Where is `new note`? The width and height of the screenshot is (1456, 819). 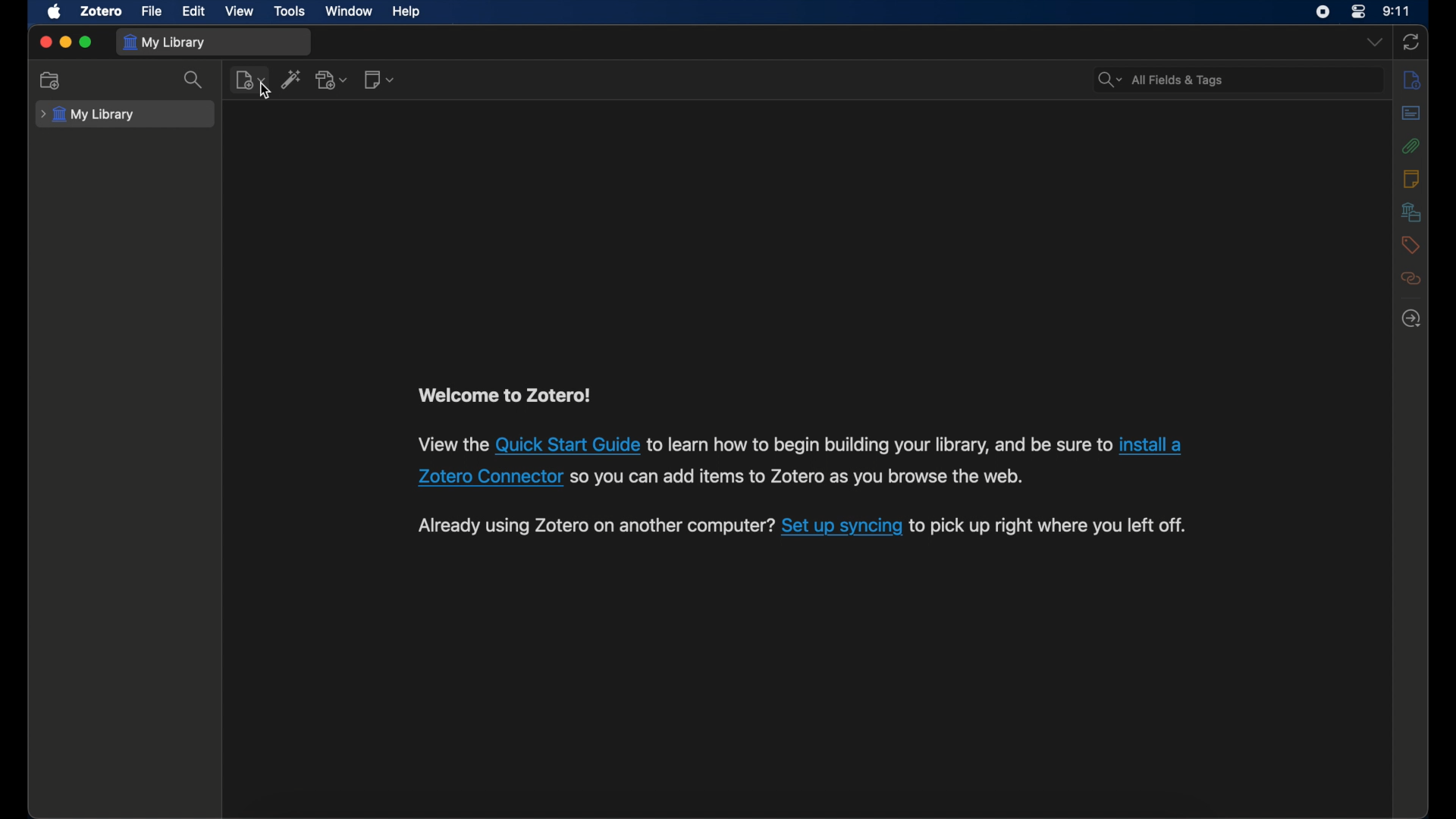
new note is located at coordinates (379, 80).